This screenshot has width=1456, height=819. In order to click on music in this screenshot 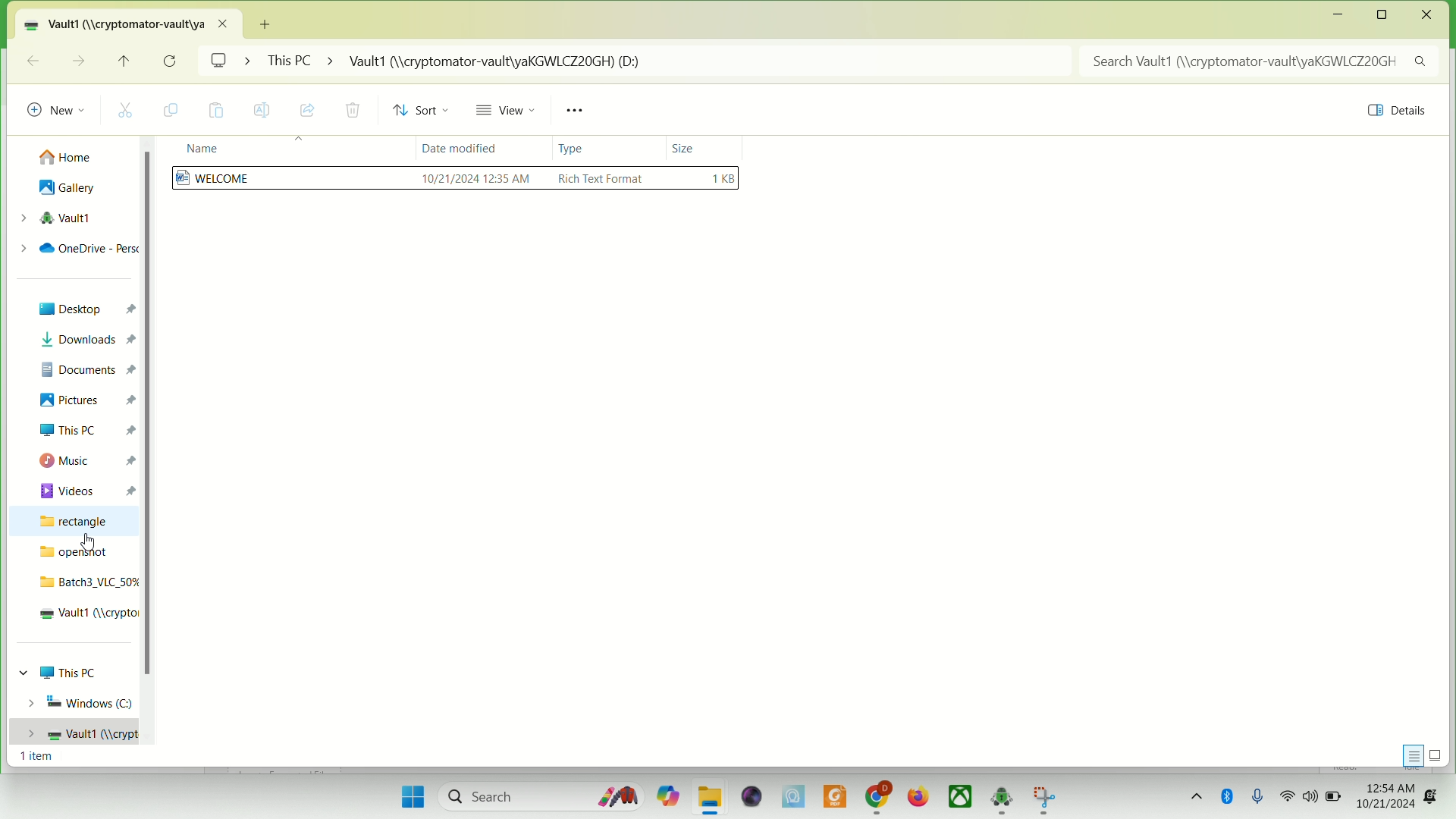, I will do `click(83, 460)`.